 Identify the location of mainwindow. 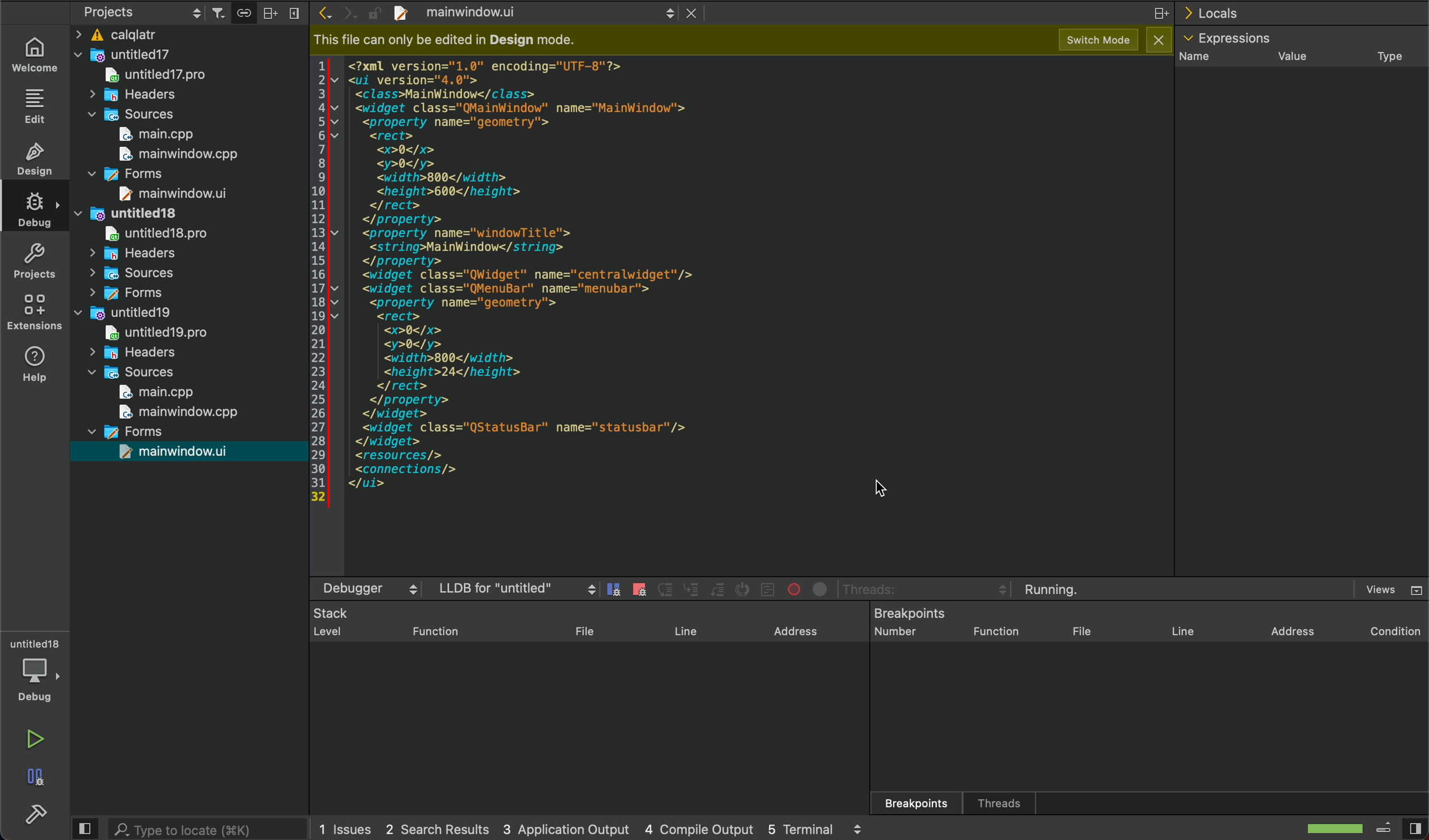
(177, 155).